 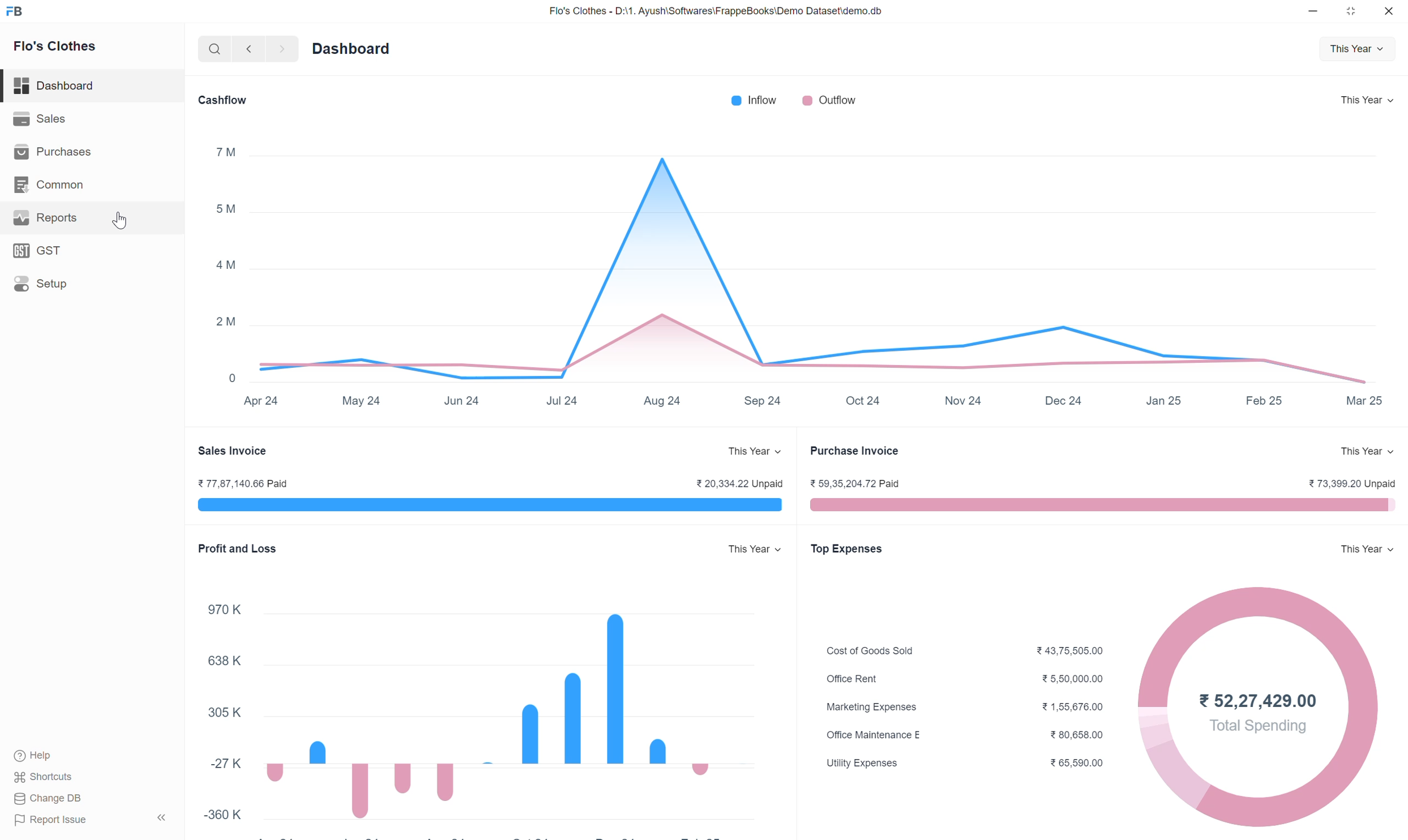 What do you see at coordinates (61, 799) in the screenshot?
I see `change DB` at bounding box center [61, 799].